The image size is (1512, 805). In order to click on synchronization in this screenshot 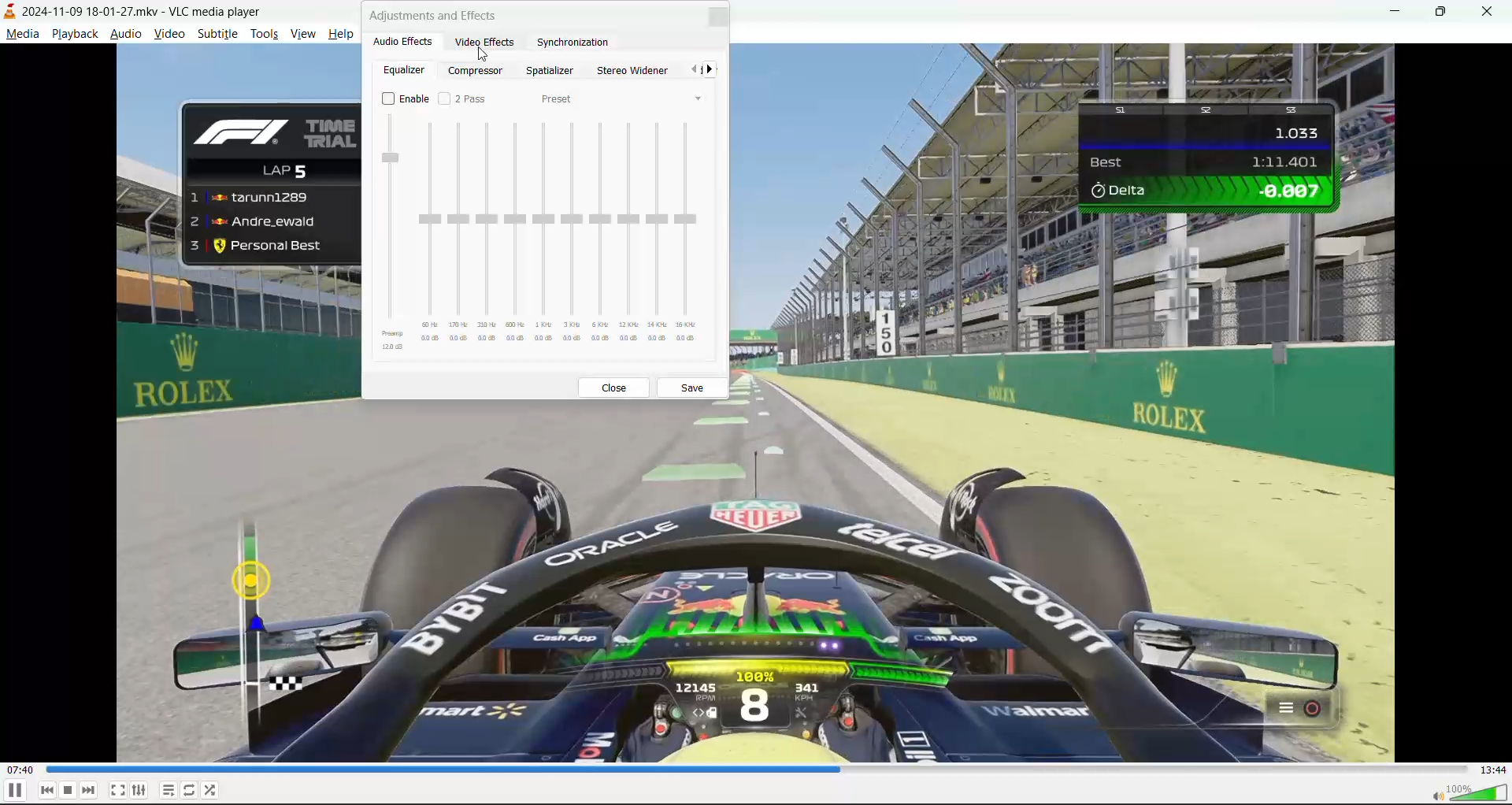, I will do `click(576, 43)`.